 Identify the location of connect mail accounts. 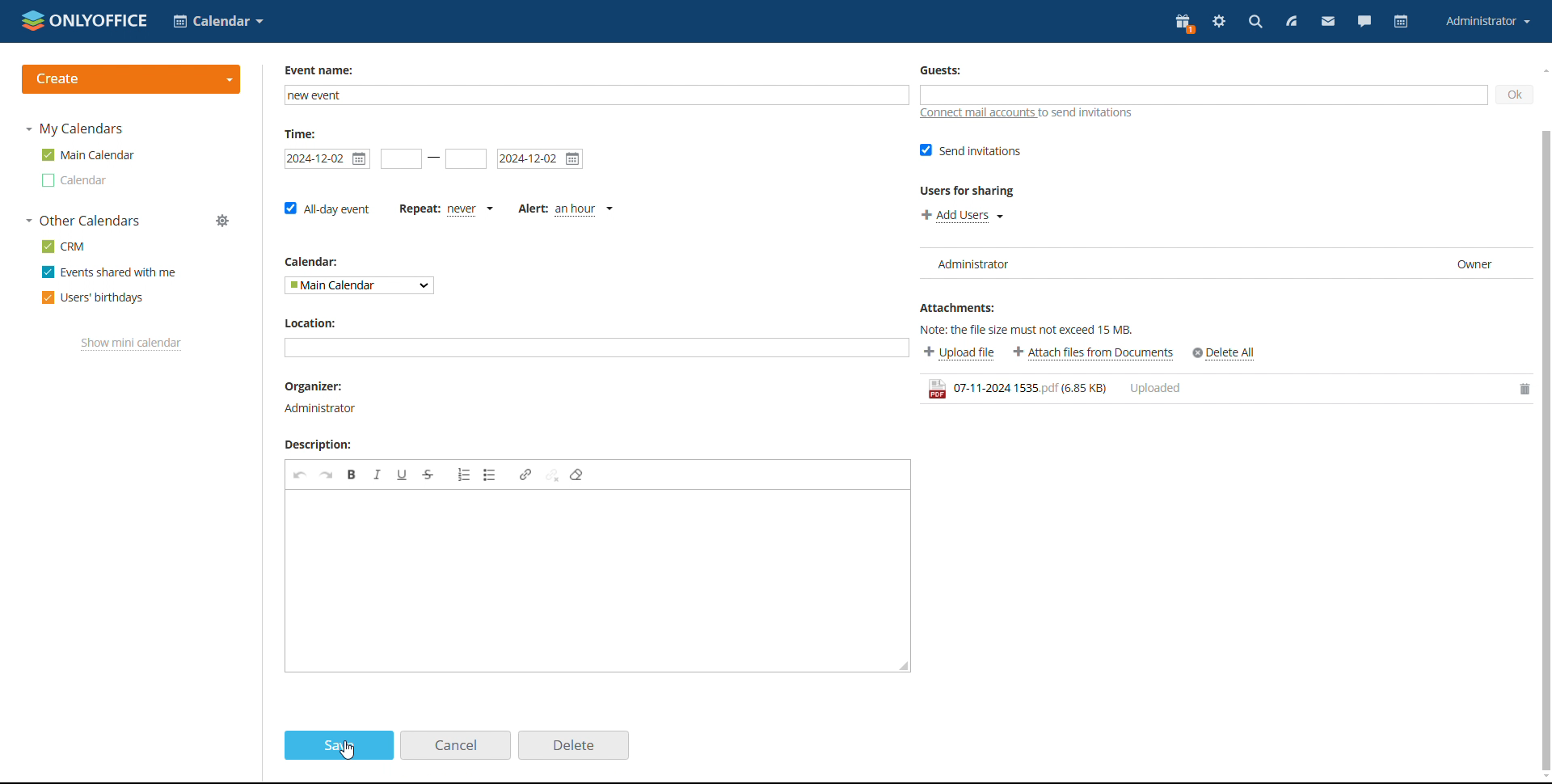
(1040, 116).